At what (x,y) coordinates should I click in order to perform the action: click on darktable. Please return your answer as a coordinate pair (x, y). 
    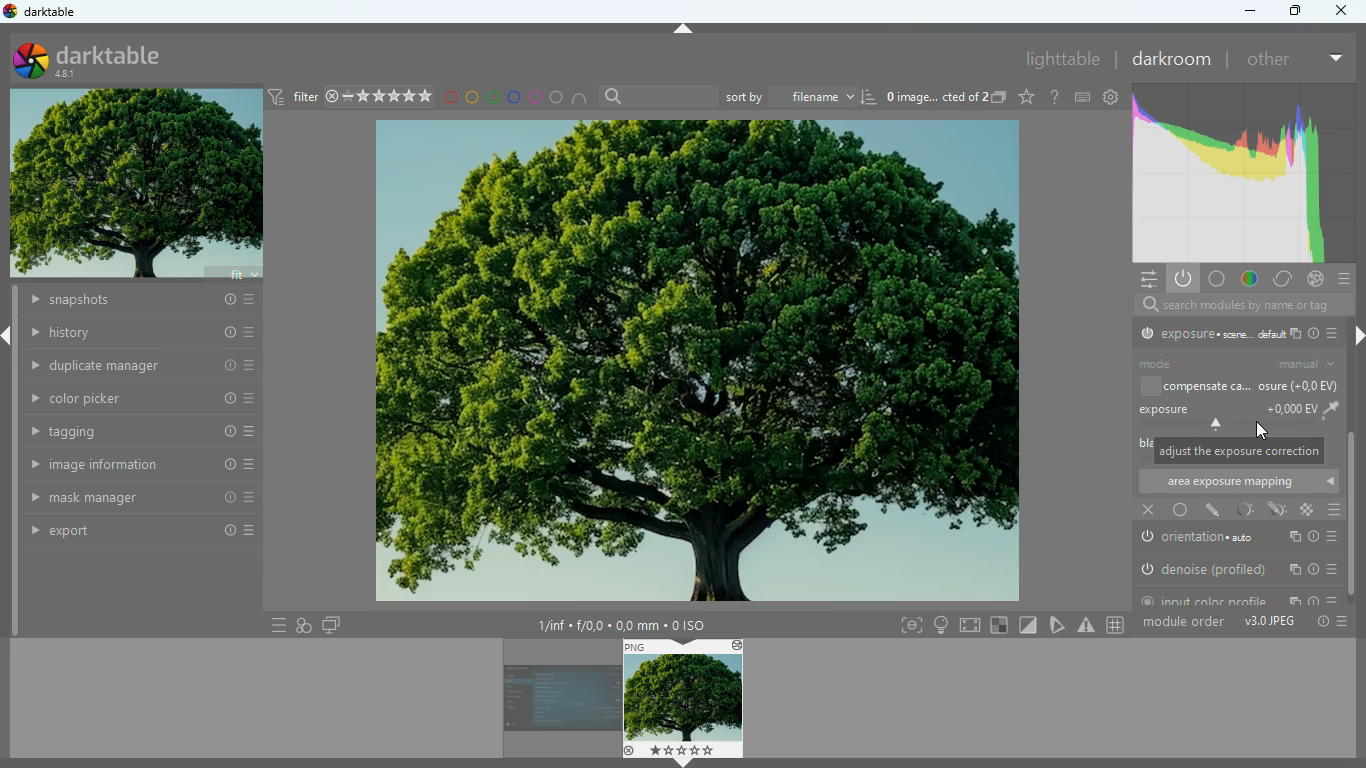
    Looking at the image, I should click on (99, 60).